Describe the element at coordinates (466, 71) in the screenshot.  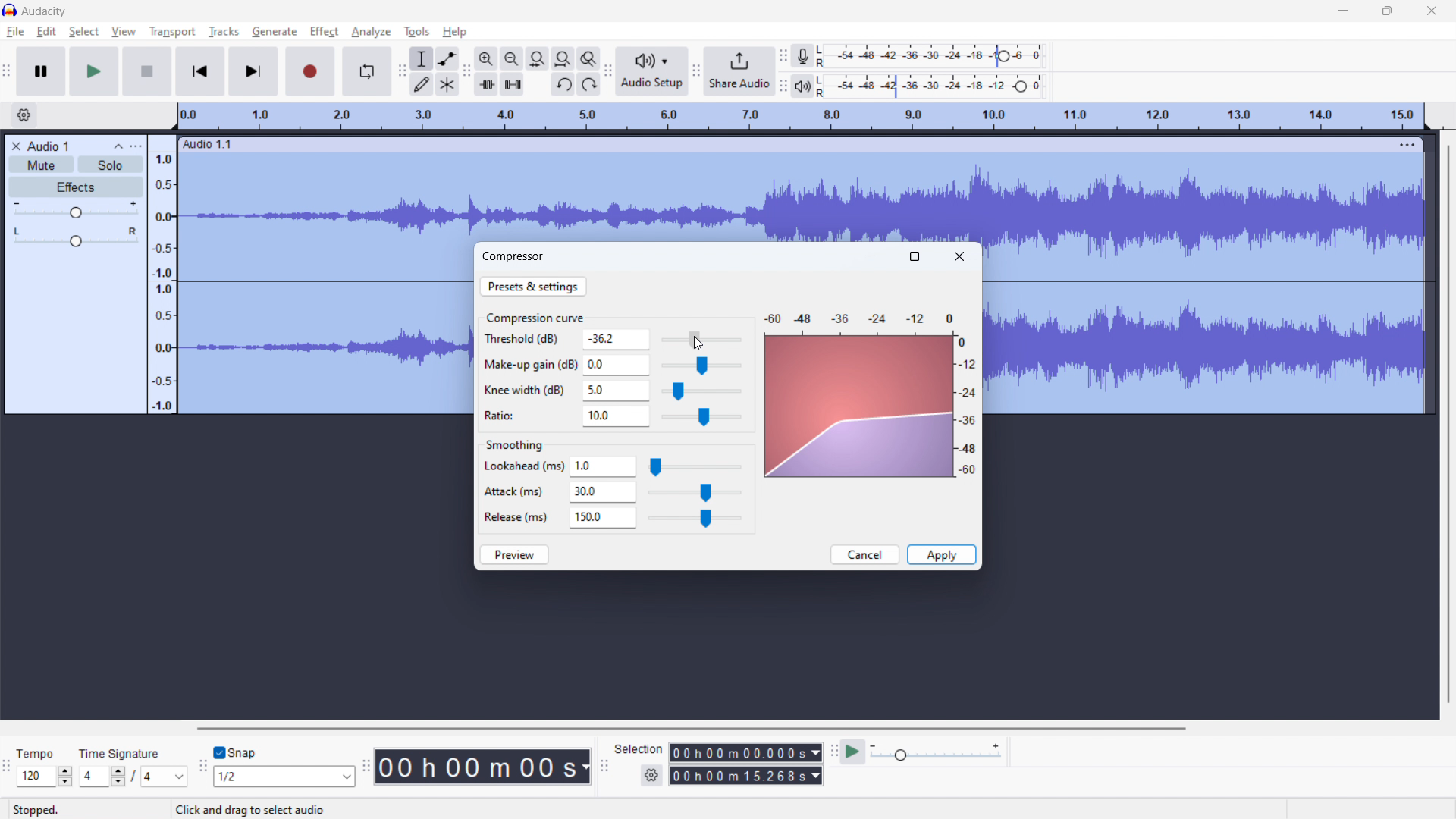
I see `edit toolbar` at that location.